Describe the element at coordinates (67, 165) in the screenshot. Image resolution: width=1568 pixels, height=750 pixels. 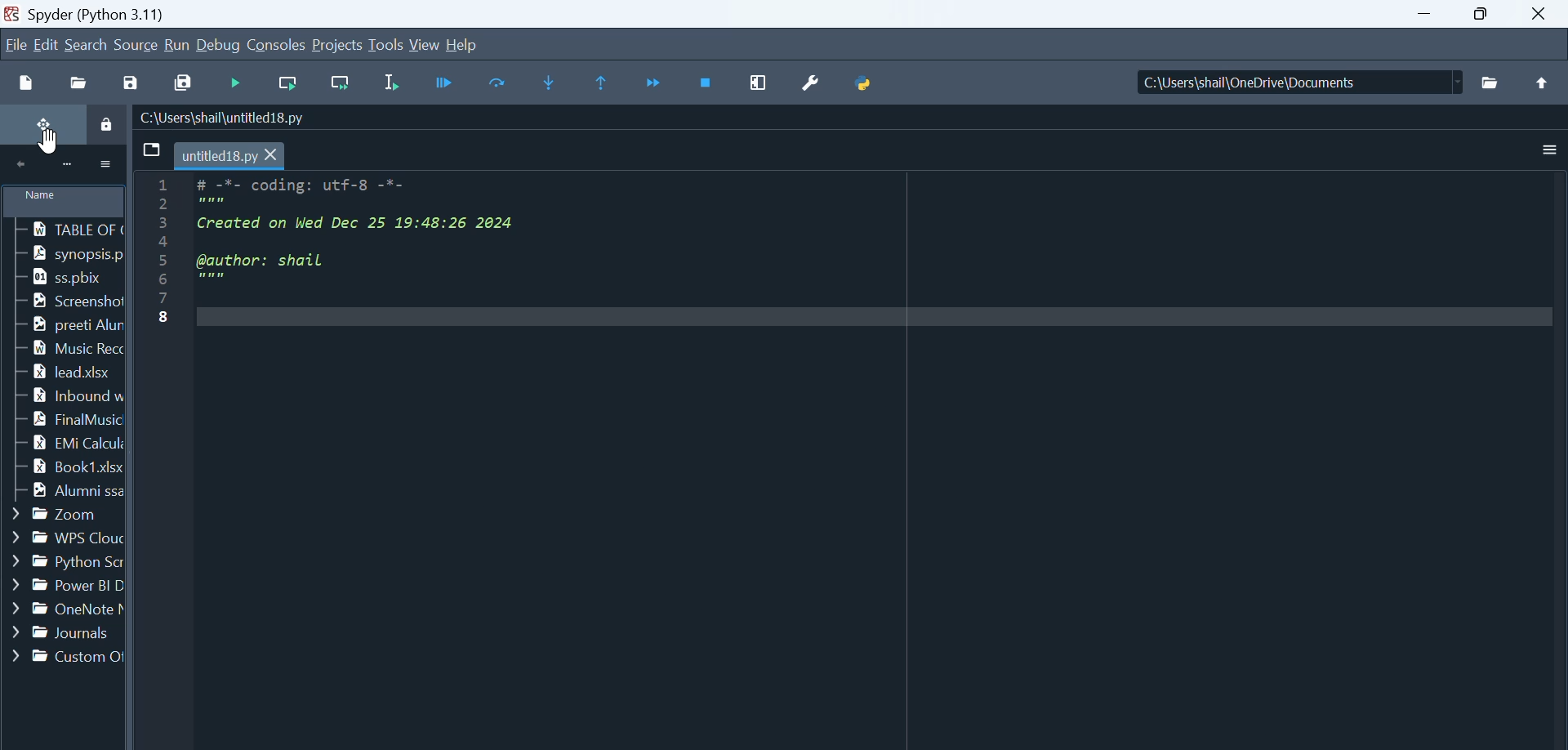
I see `icon` at that location.